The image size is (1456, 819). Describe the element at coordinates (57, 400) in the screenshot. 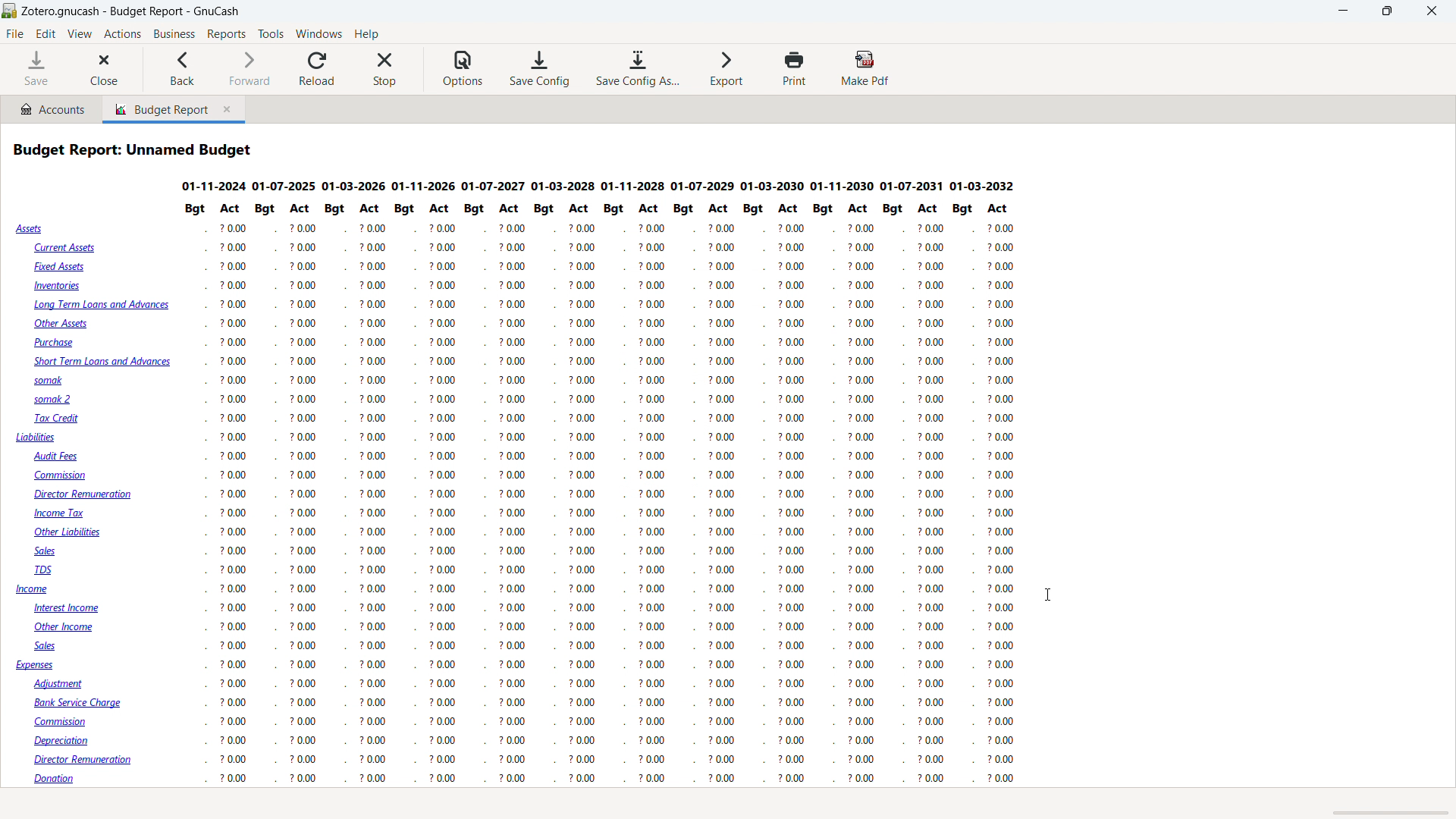

I see `somak 2` at that location.